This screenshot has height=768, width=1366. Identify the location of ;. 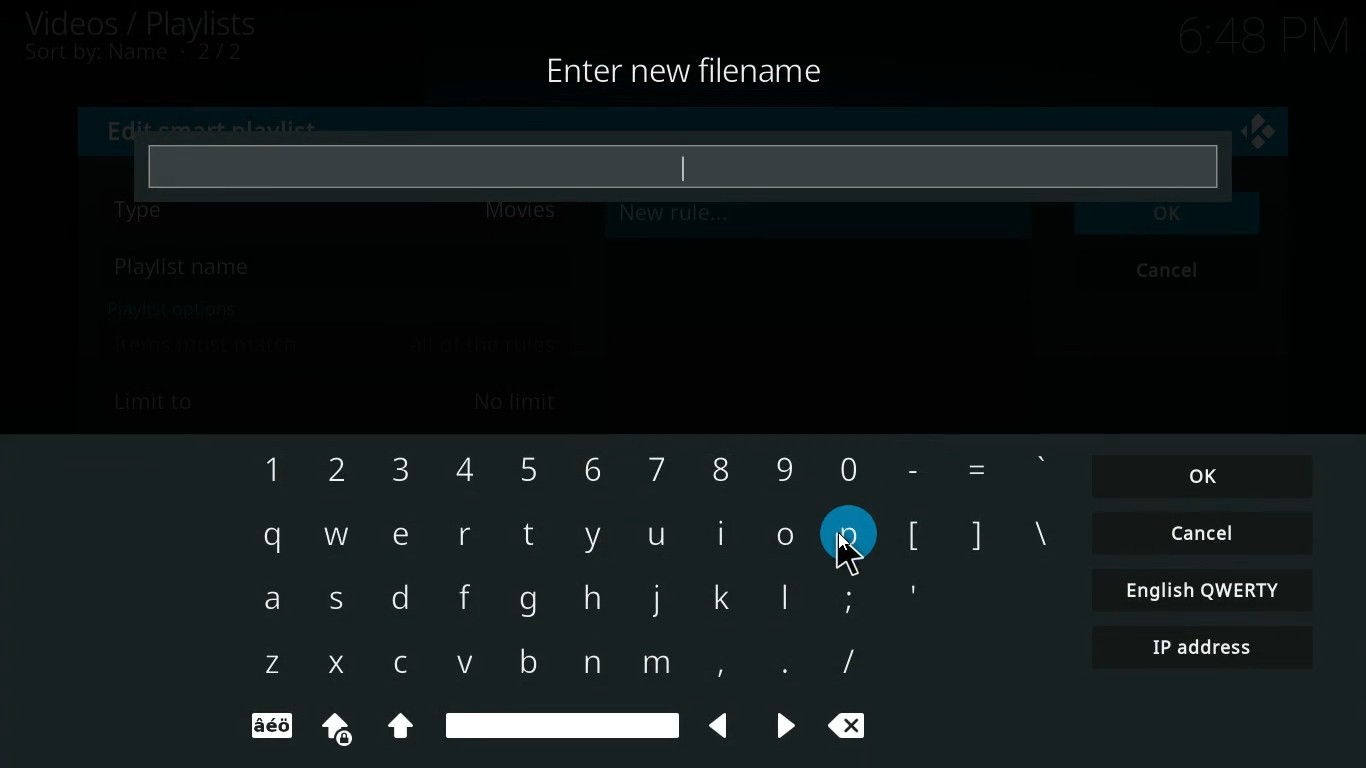
(847, 597).